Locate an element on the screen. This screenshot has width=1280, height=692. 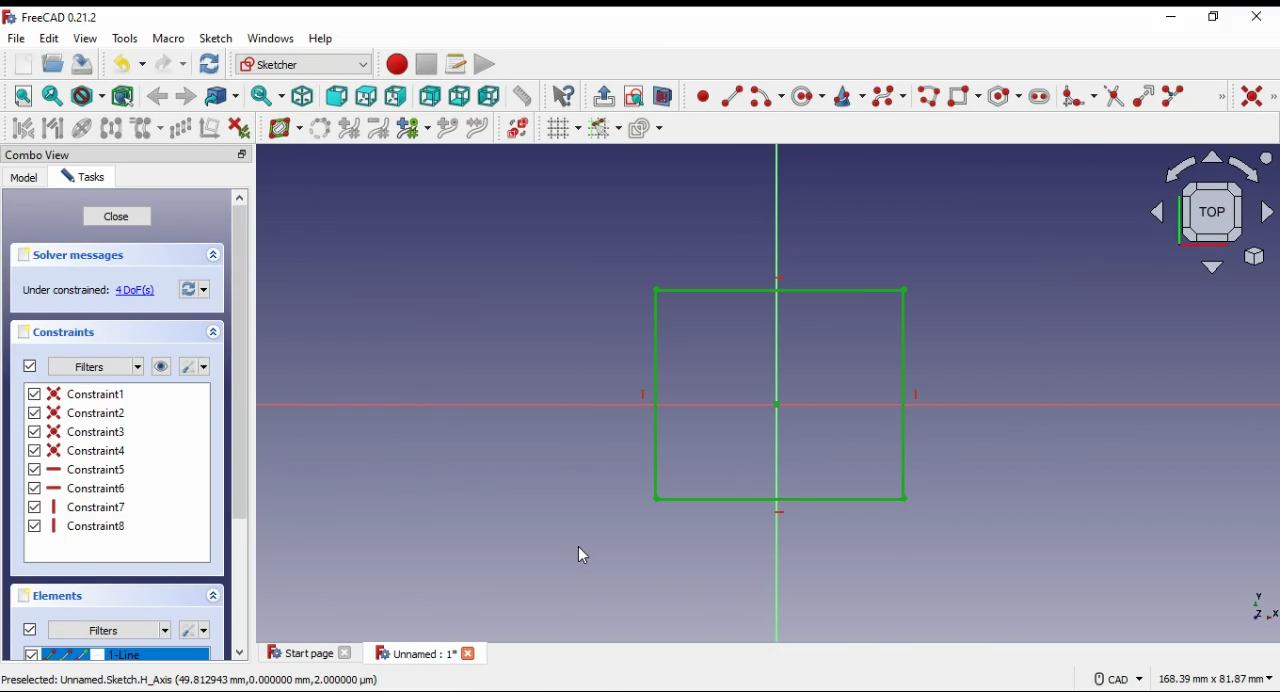
fit selection is located at coordinates (53, 96).